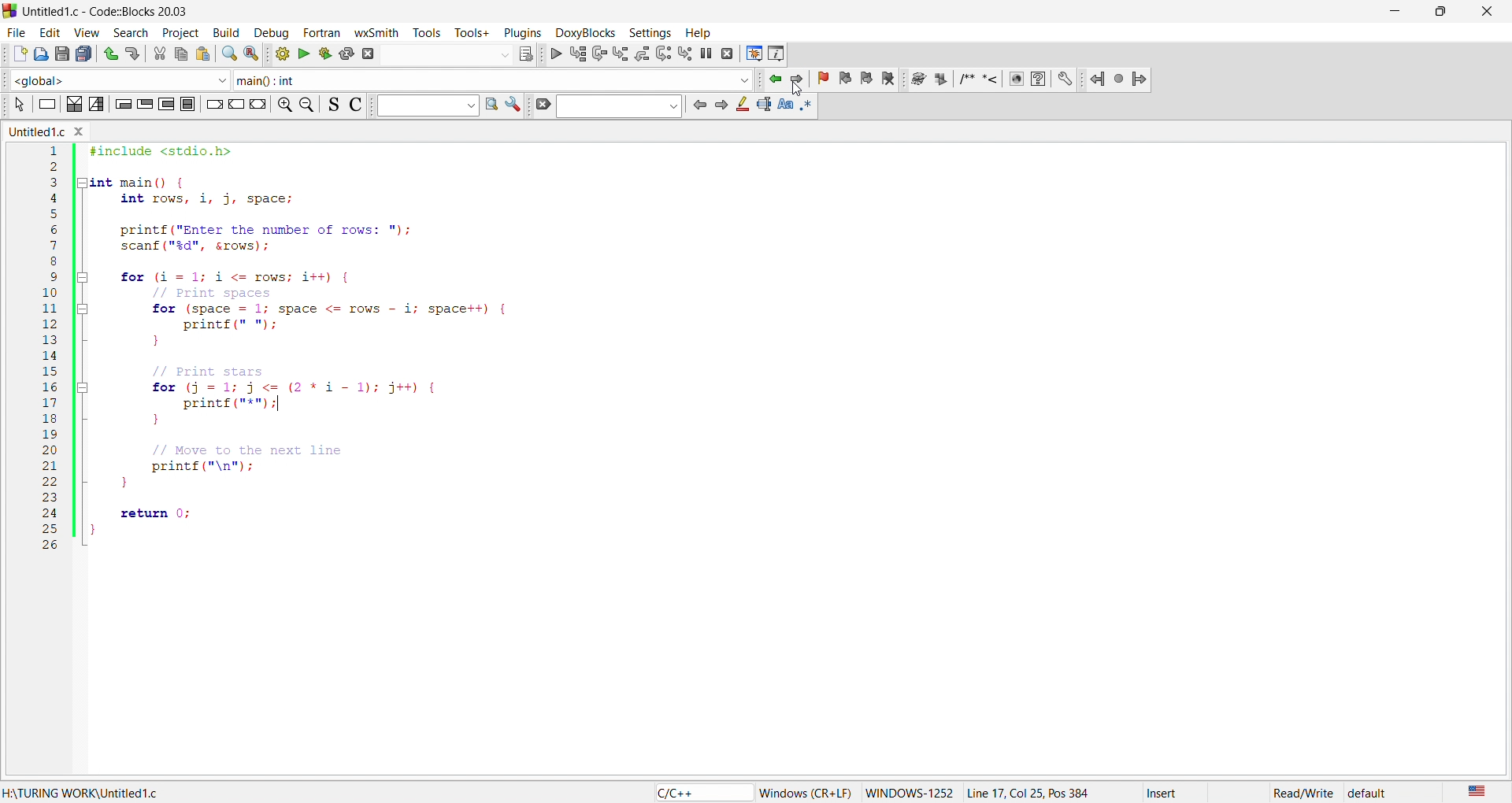  What do you see at coordinates (696, 790) in the screenshot?
I see `c/c++` at bounding box center [696, 790].